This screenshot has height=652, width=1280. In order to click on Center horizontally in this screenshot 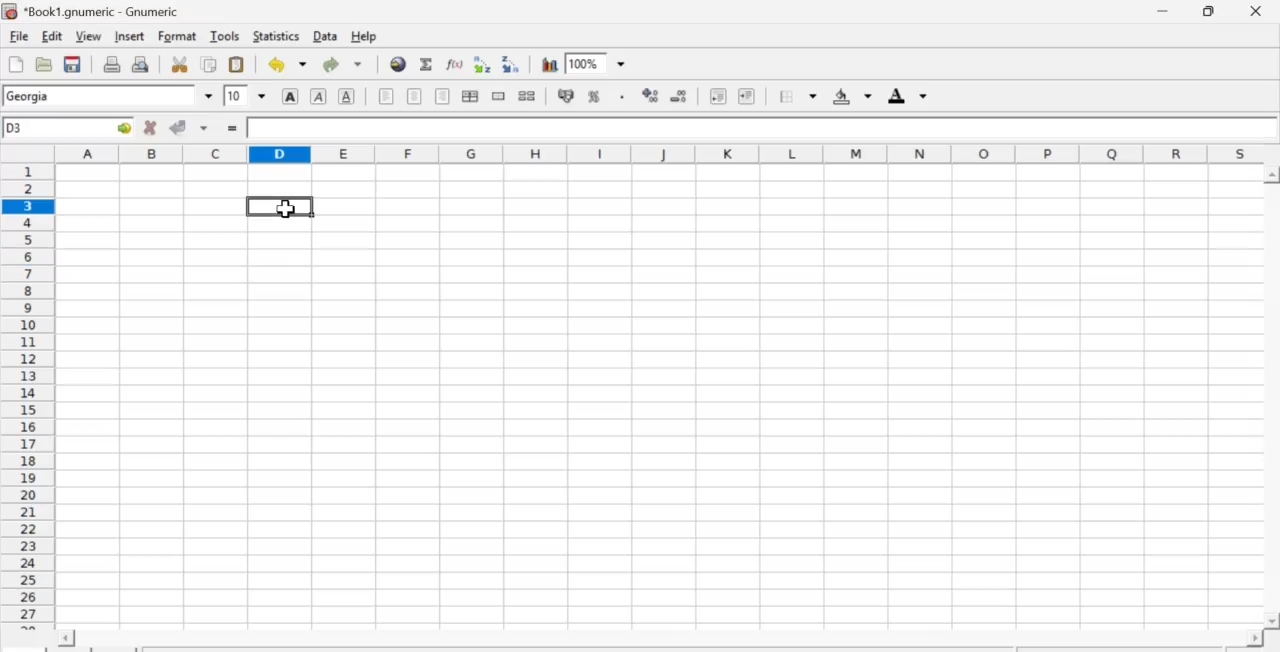, I will do `click(413, 95)`.